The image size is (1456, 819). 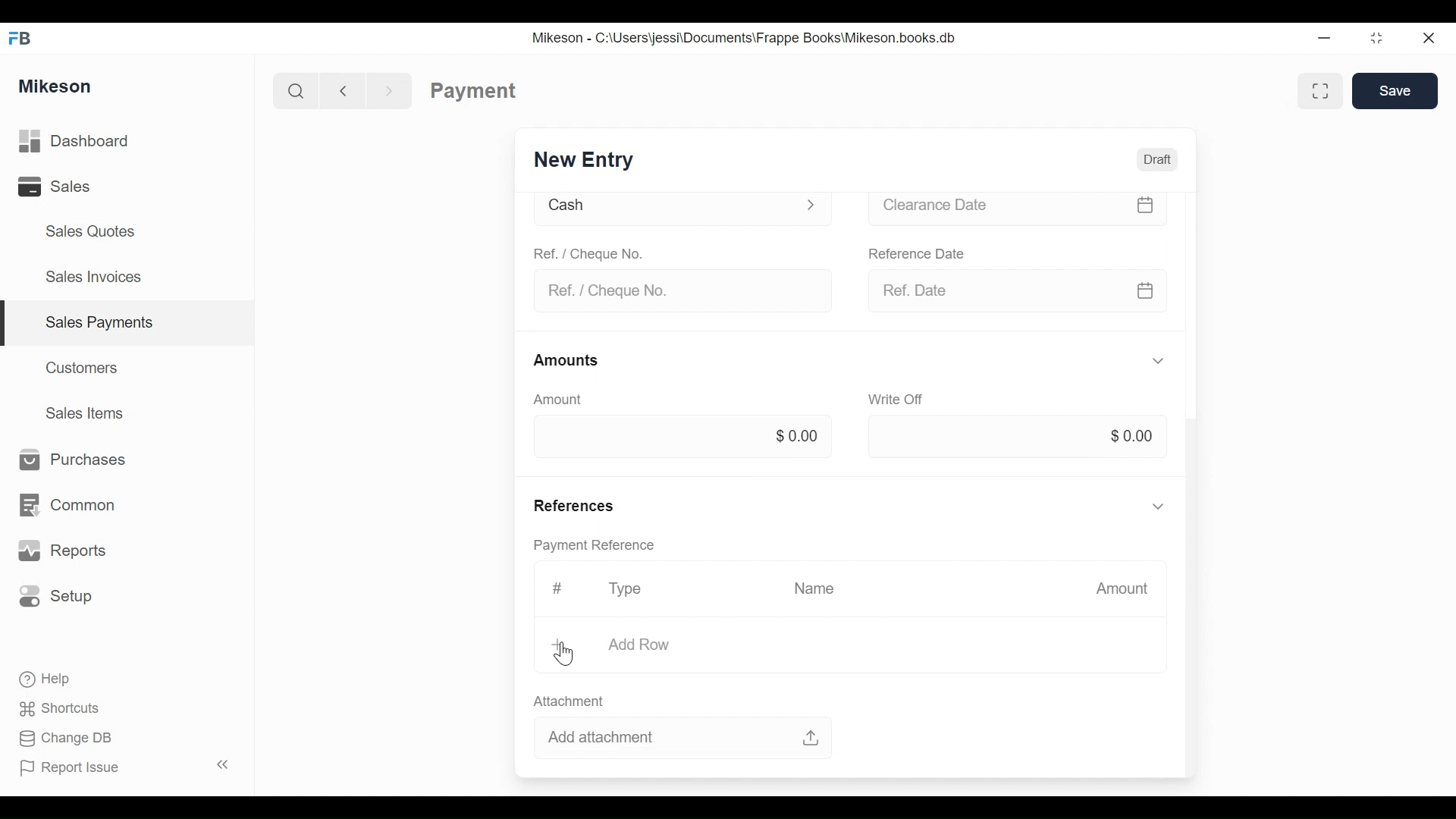 I want to click on Reports, so click(x=65, y=551).